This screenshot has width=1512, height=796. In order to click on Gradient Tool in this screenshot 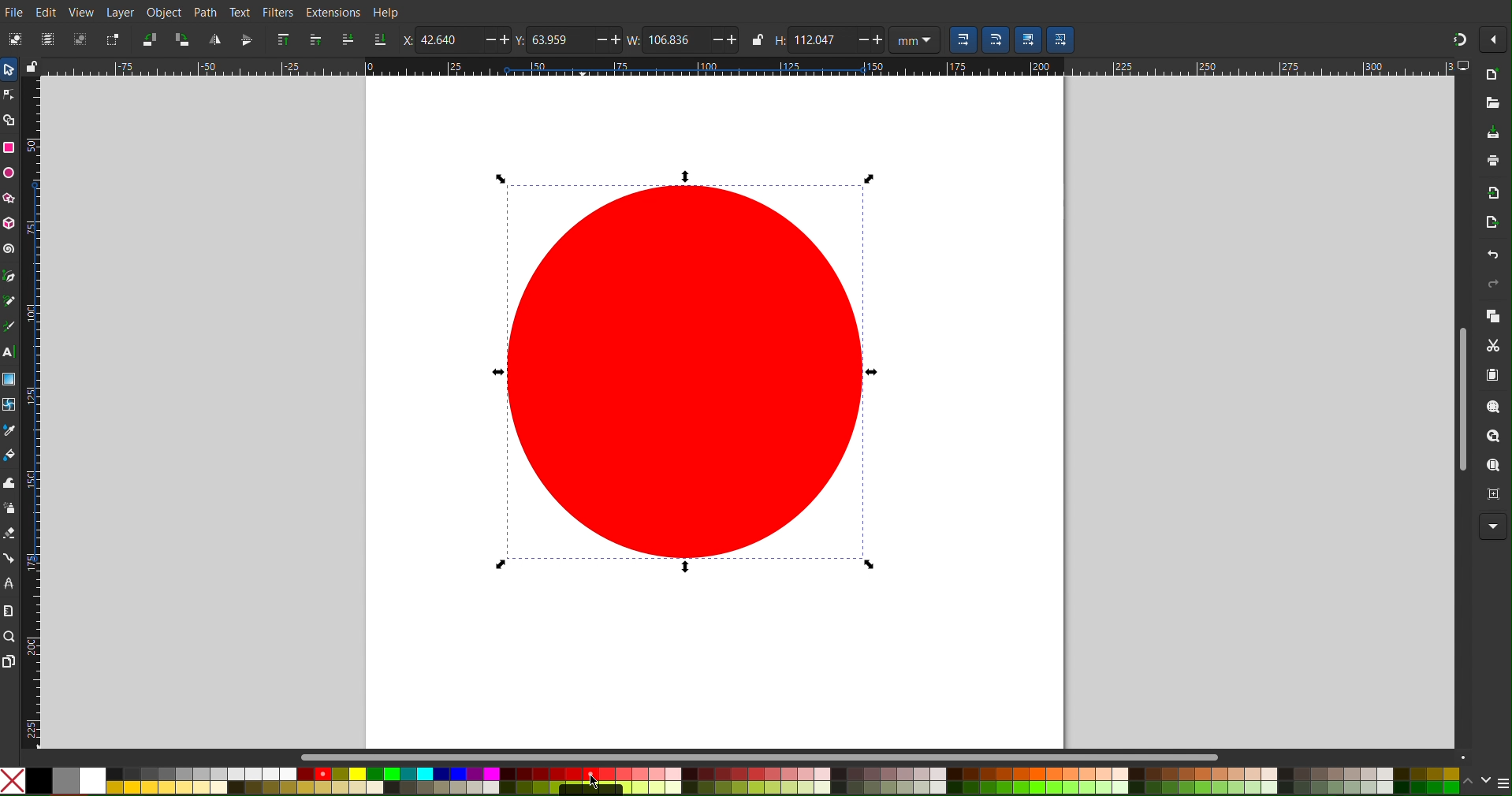, I will do `click(9, 378)`.